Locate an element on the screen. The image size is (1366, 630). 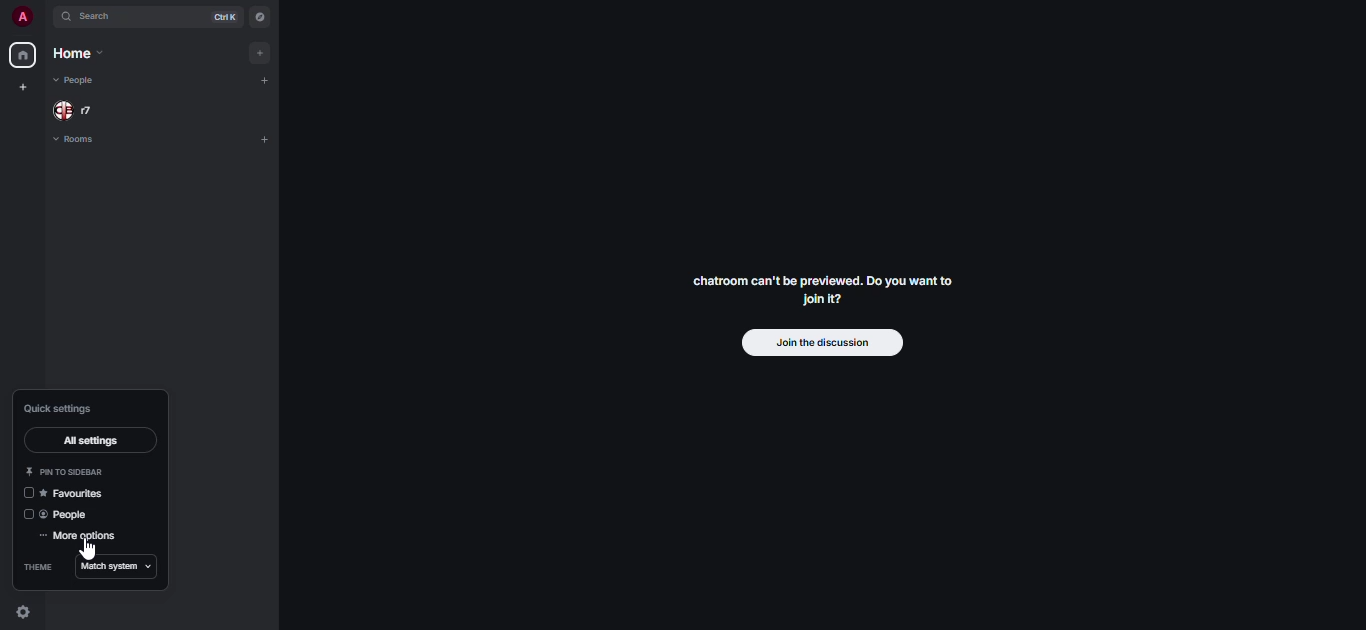
create myspace is located at coordinates (25, 86).